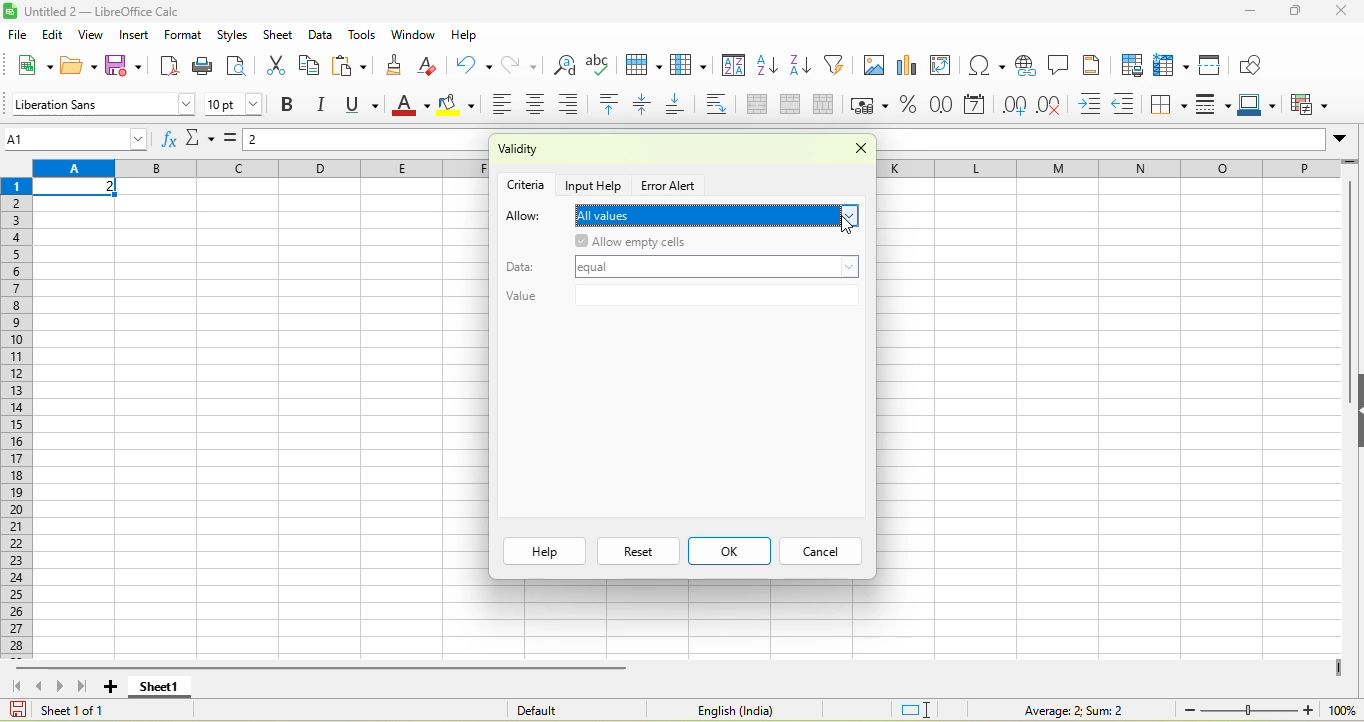 The height and width of the screenshot is (722, 1364). What do you see at coordinates (1108, 168) in the screenshot?
I see `row` at bounding box center [1108, 168].